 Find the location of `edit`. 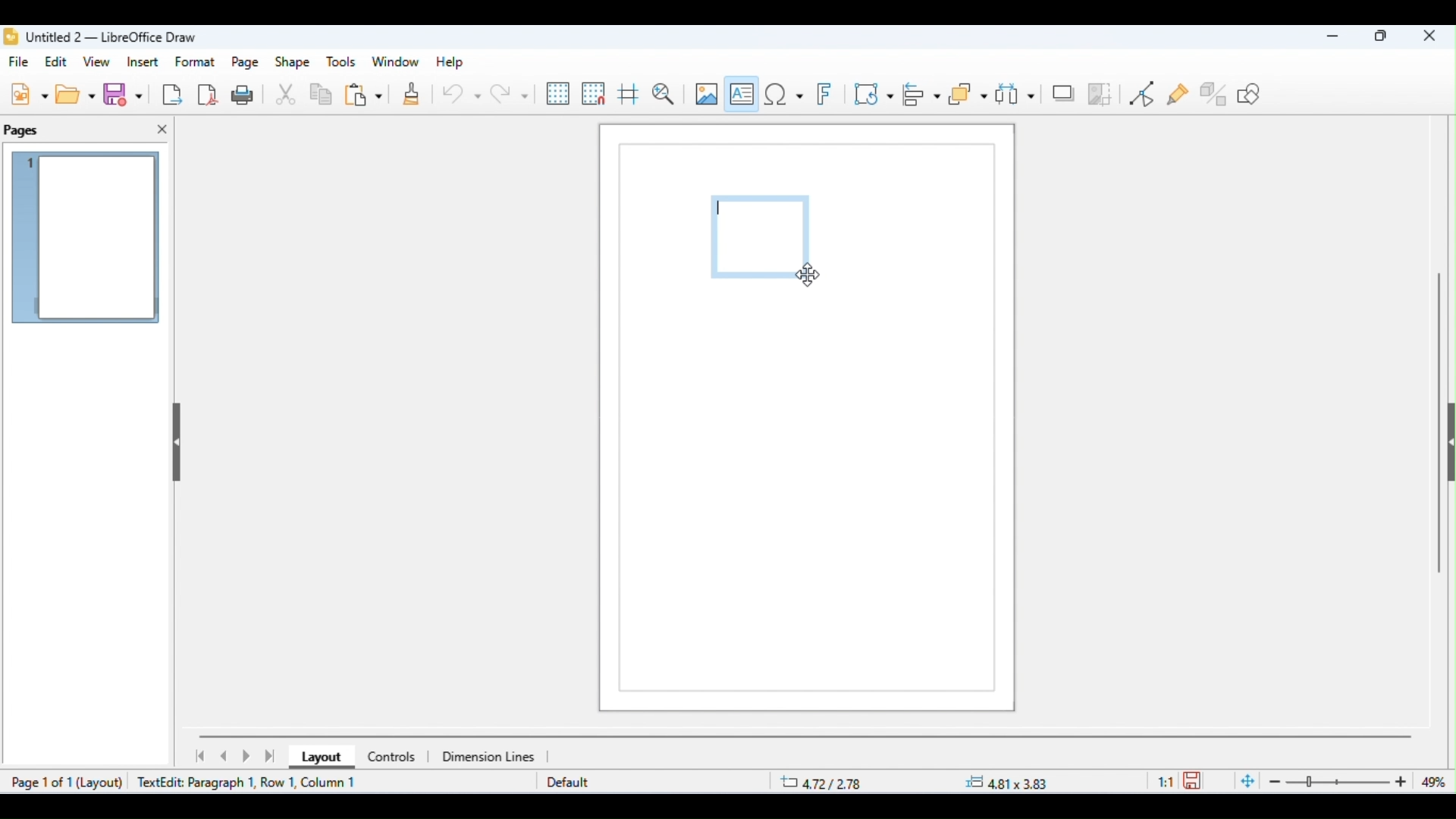

edit is located at coordinates (58, 61).